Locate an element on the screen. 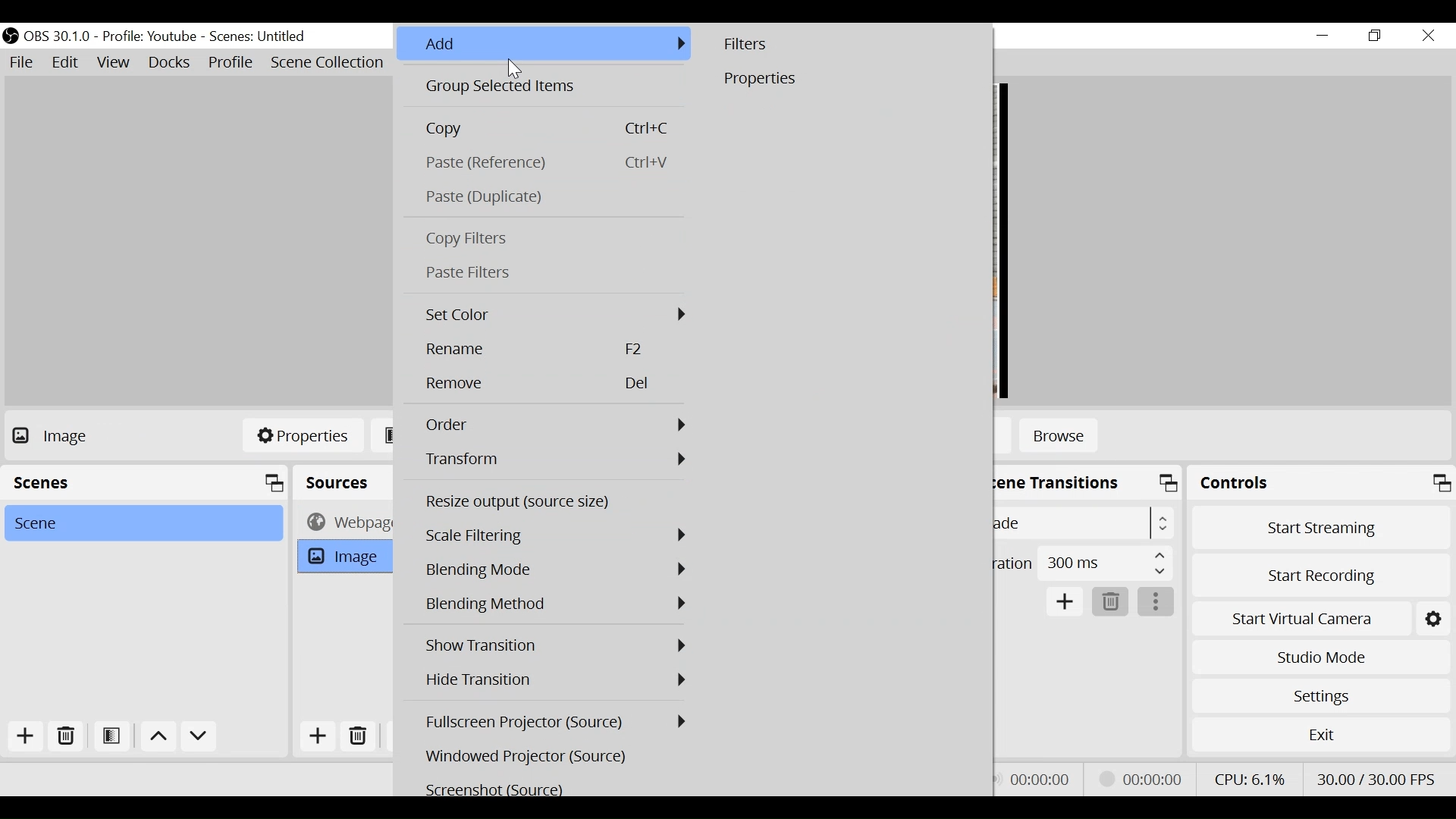 Image resolution: width=1456 pixels, height=819 pixels. Scene Collection is located at coordinates (330, 63).